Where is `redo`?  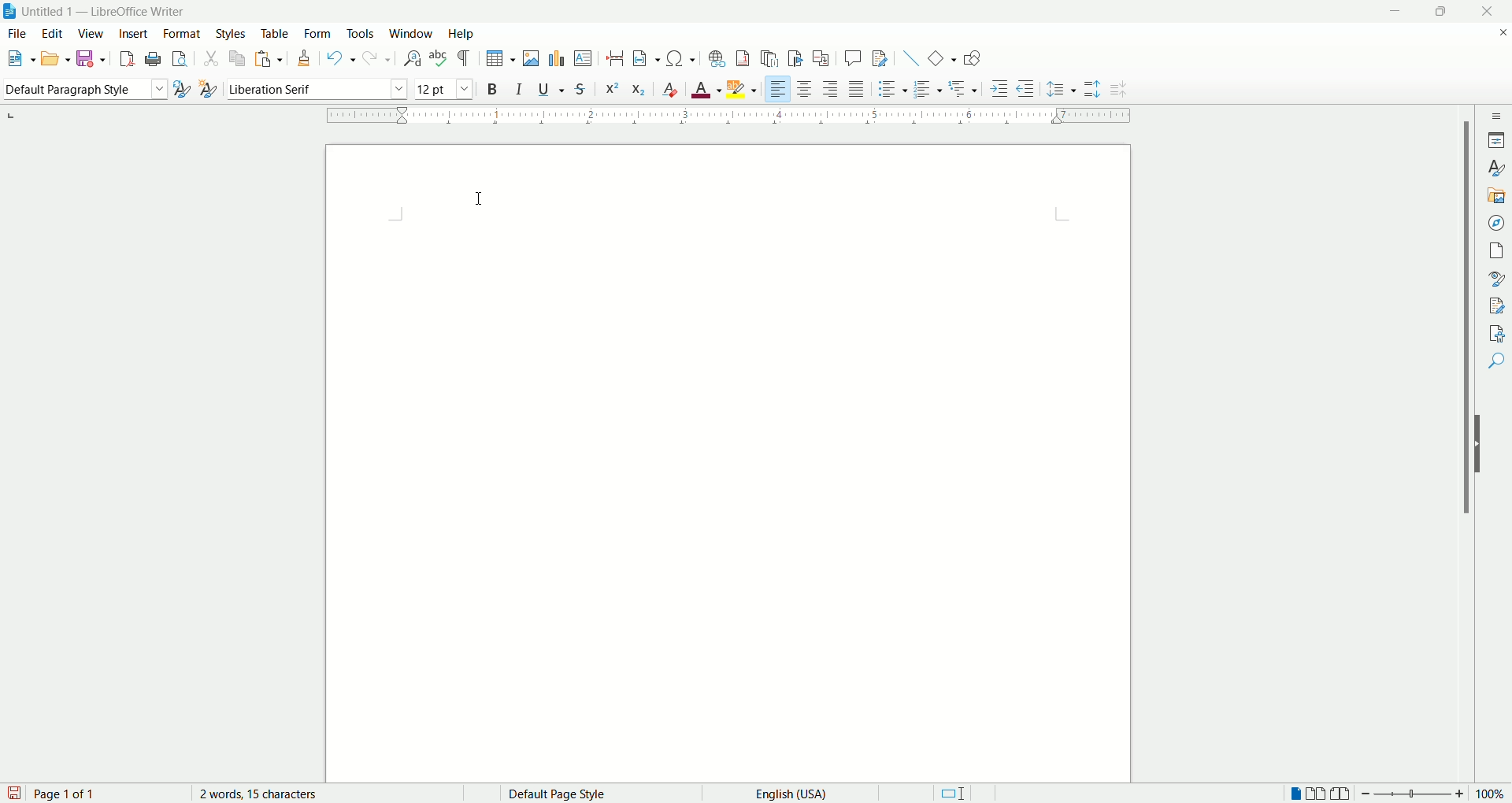
redo is located at coordinates (376, 57).